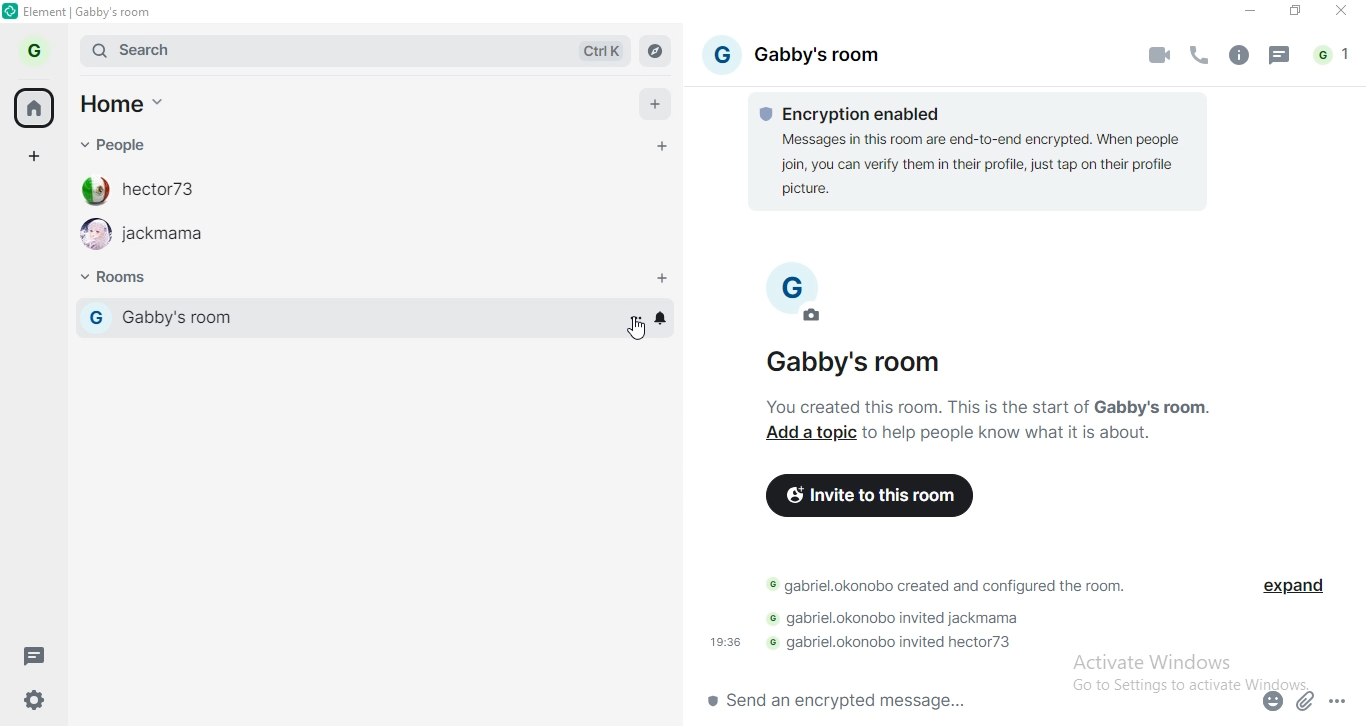  Describe the element at coordinates (853, 363) in the screenshot. I see `Gabby's room` at that location.